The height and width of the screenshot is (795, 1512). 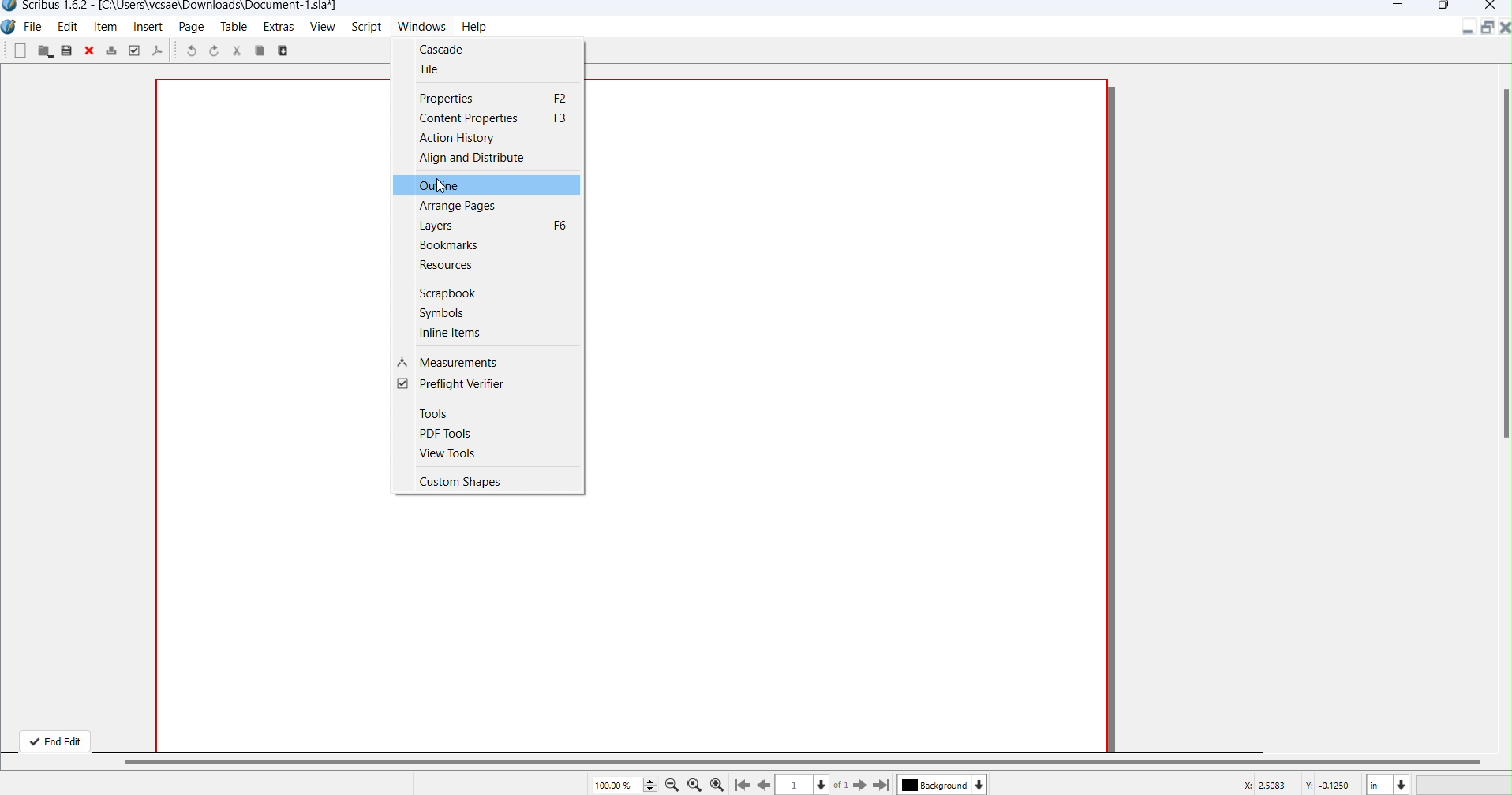 I want to click on script, so click(x=365, y=27).